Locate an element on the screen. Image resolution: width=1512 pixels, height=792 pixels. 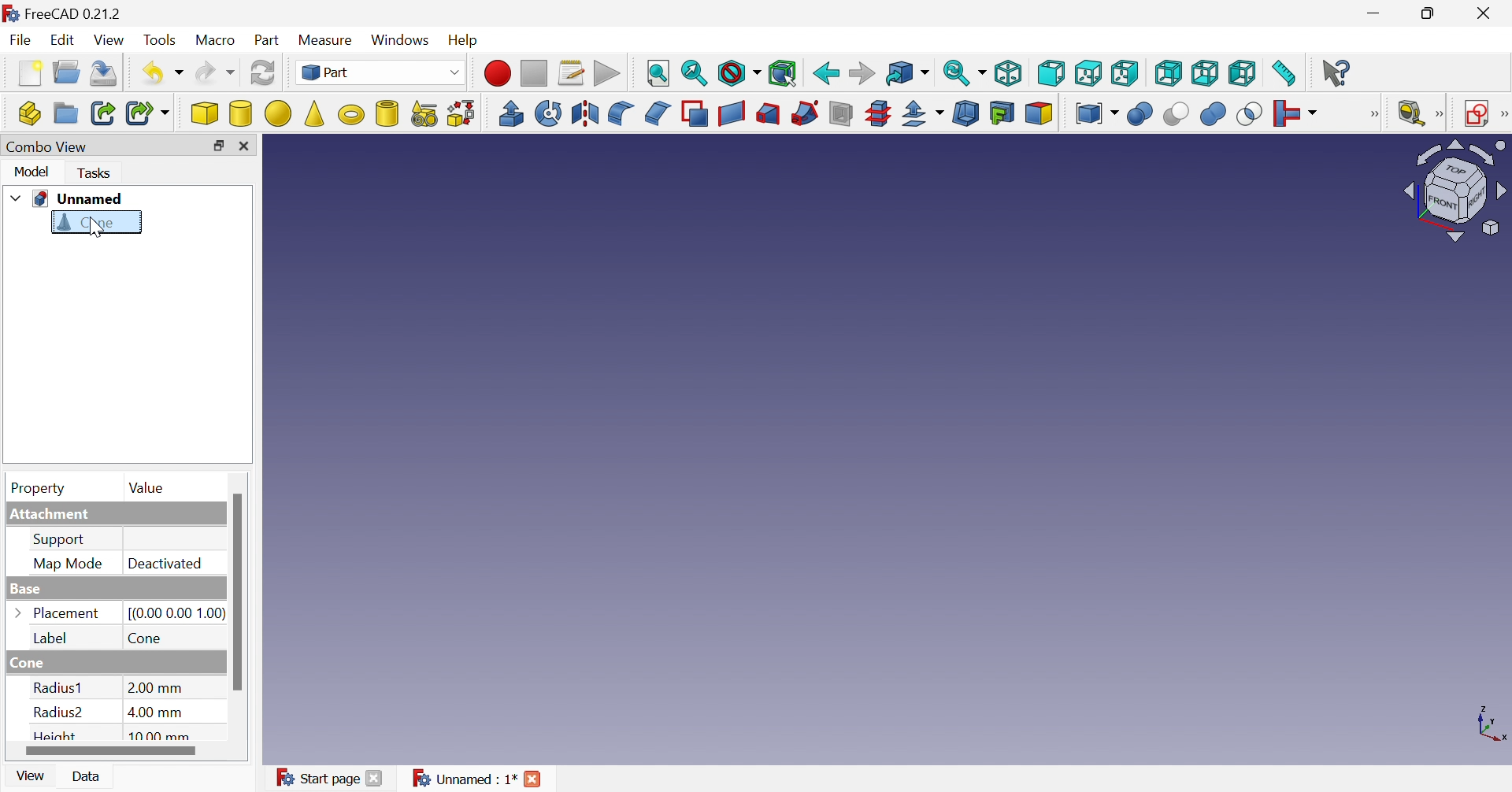
Union is located at coordinates (1215, 113).